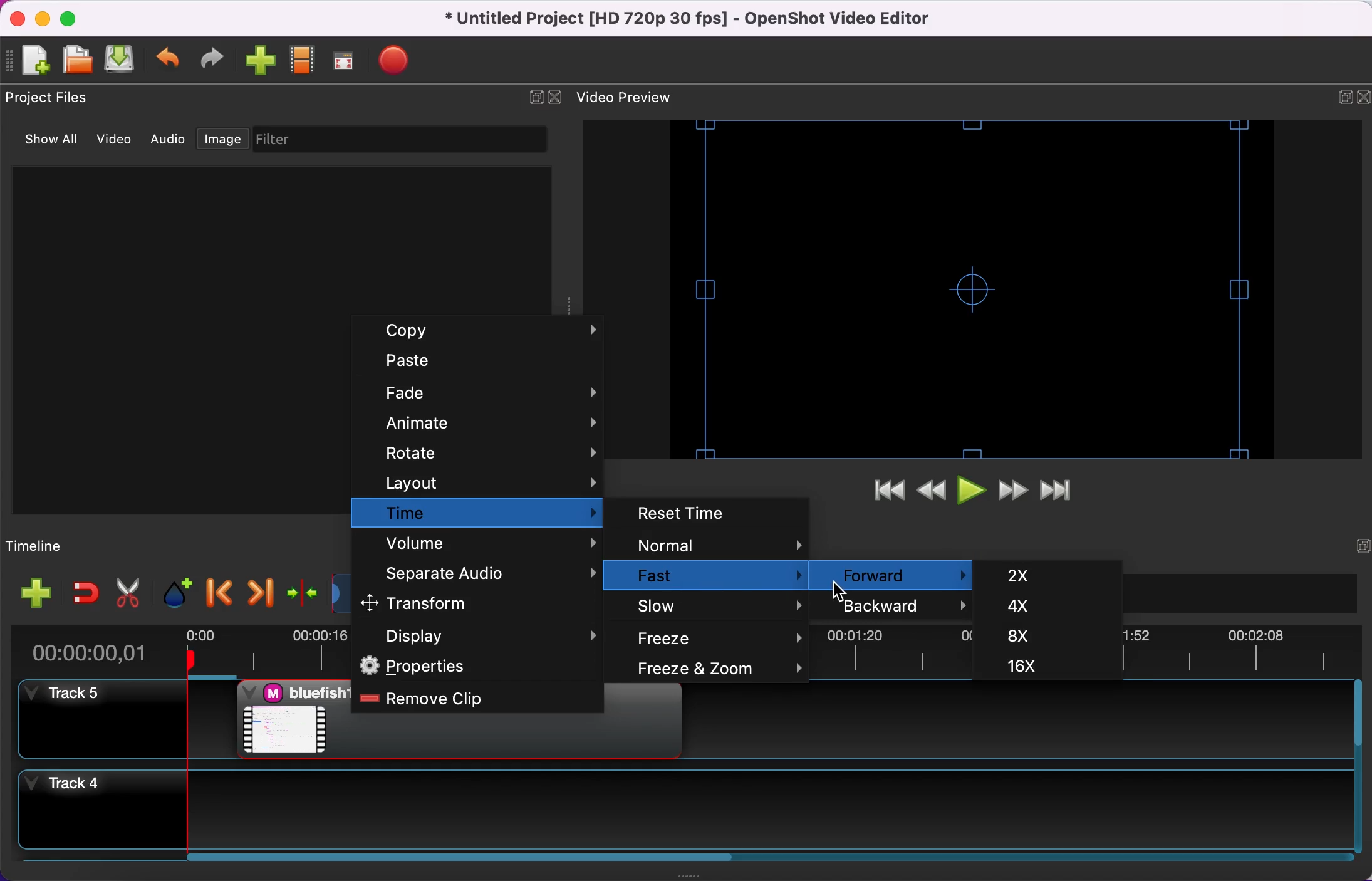  What do you see at coordinates (475, 513) in the screenshot?
I see `time` at bounding box center [475, 513].